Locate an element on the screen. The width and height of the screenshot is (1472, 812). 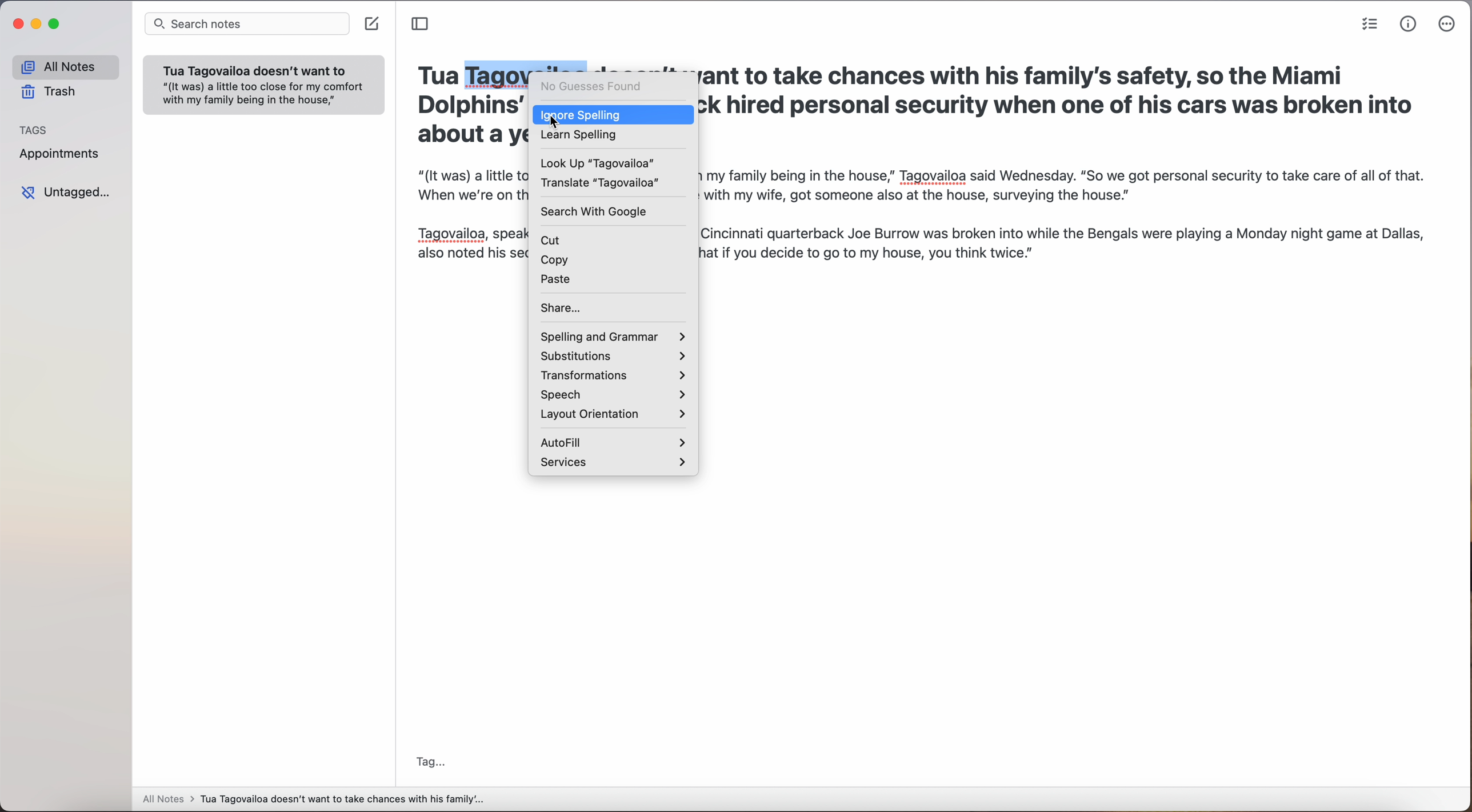
share is located at coordinates (565, 307).